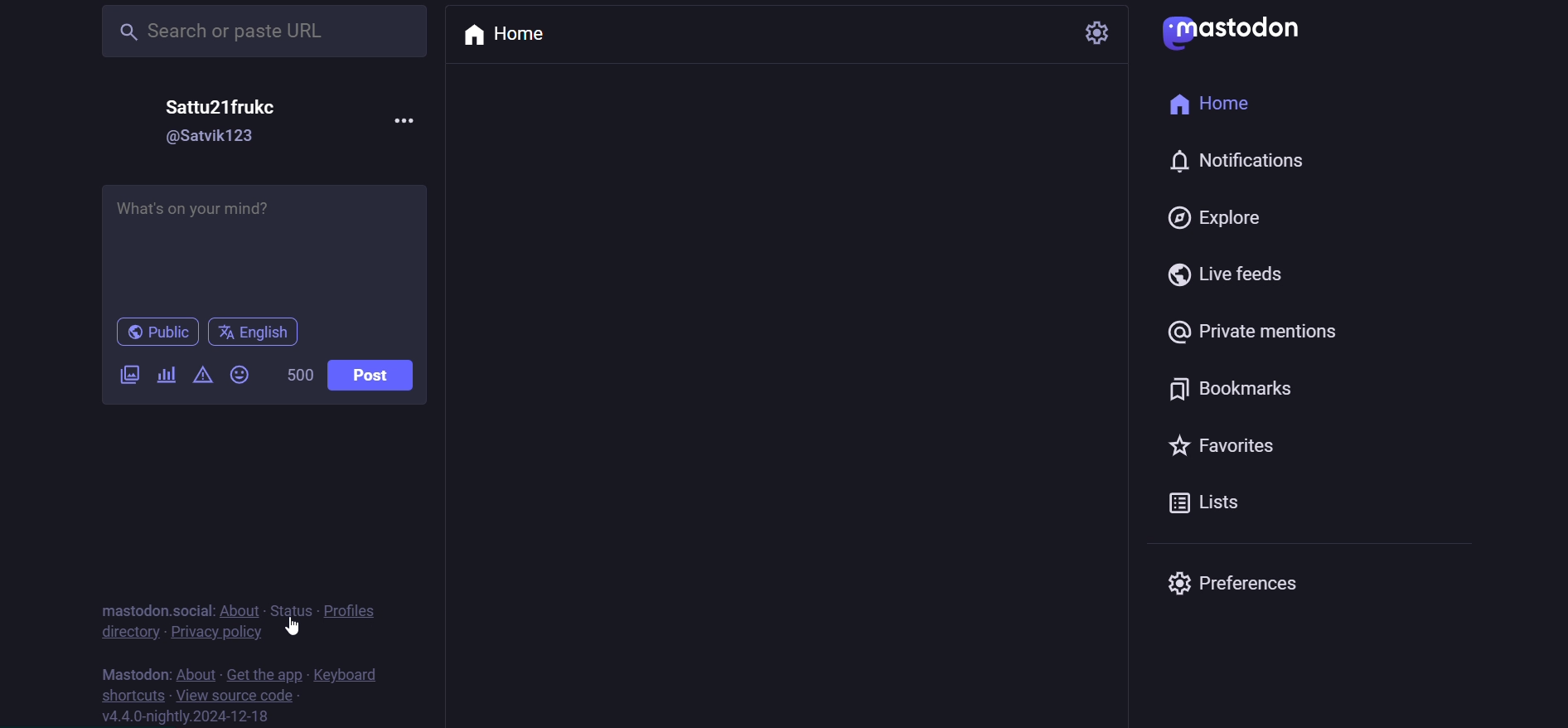  What do you see at coordinates (1236, 390) in the screenshot?
I see `bookmark` at bounding box center [1236, 390].